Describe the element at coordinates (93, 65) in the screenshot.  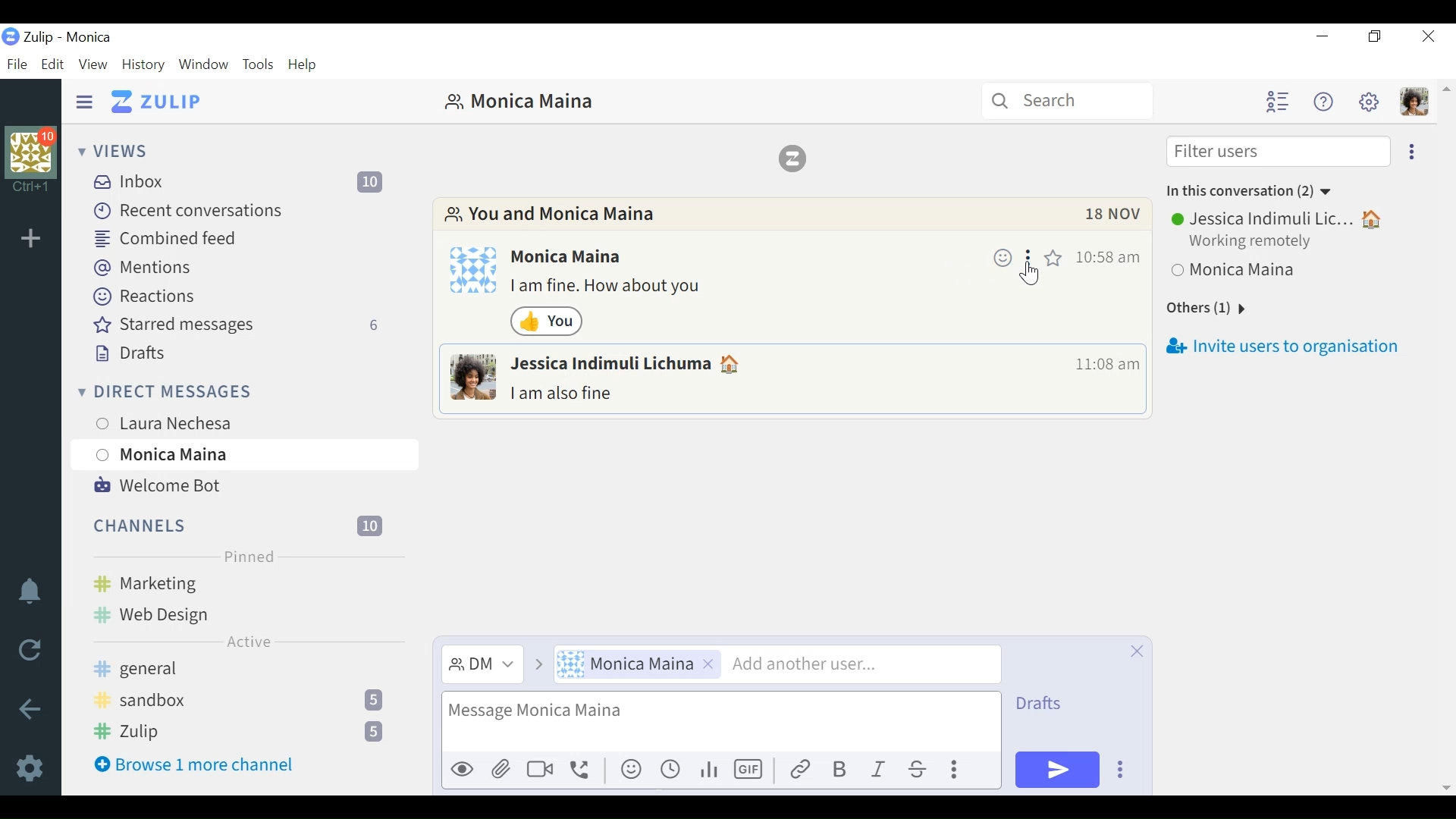
I see `View` at that location.